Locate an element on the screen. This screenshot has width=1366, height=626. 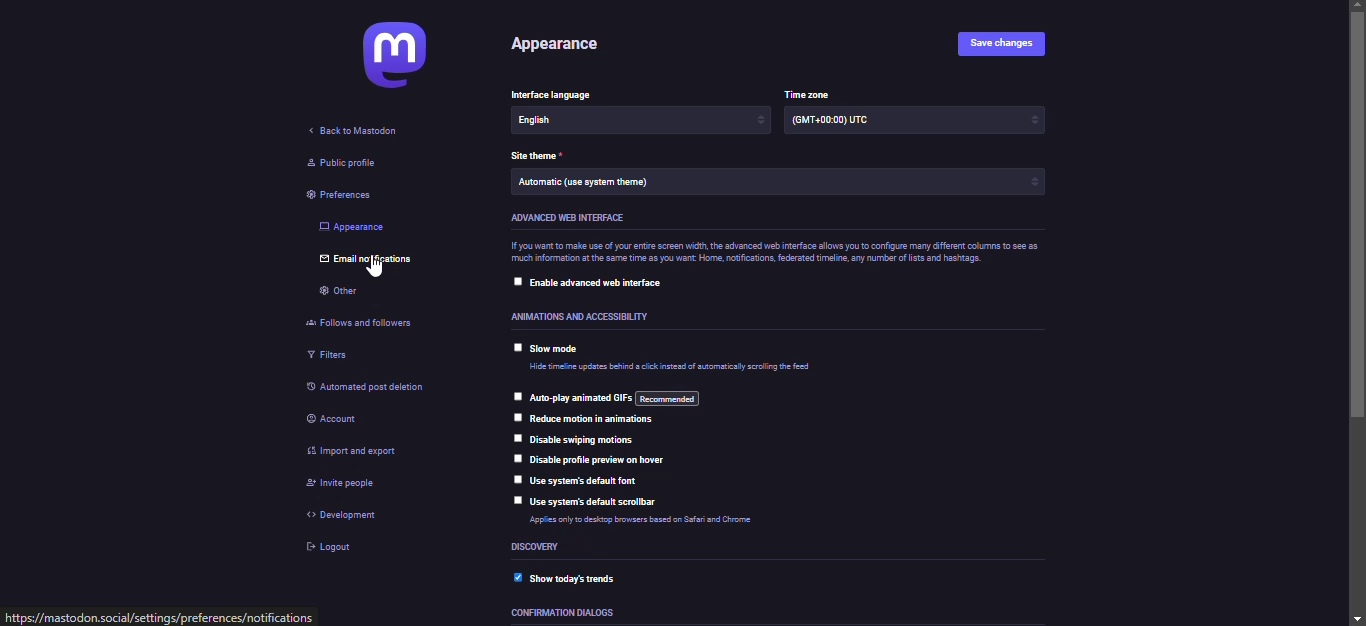
other is located at coordinates (339, 294).